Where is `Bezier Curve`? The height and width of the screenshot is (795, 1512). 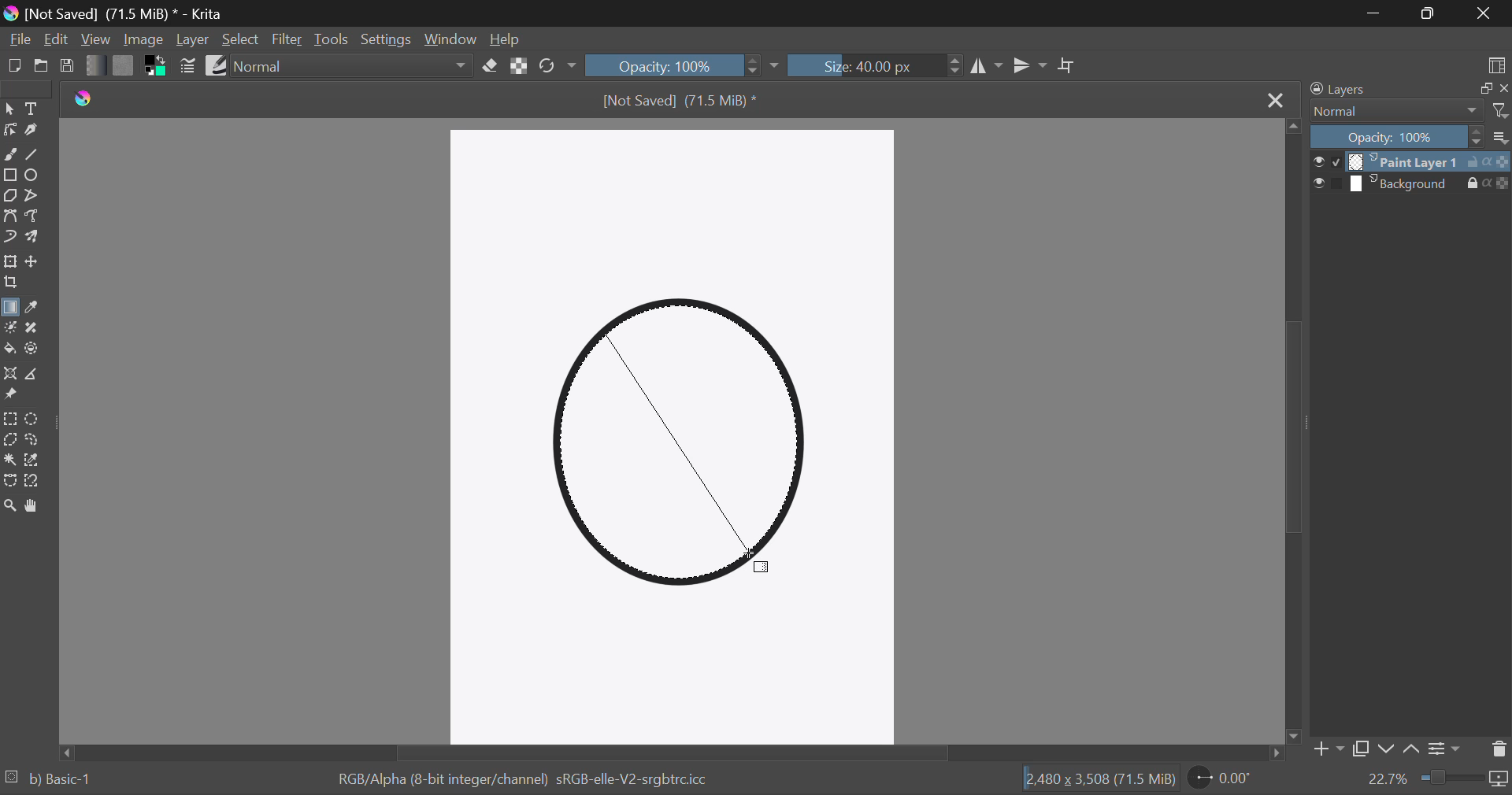
Bezier Curve is located at coordinates (10, 216).